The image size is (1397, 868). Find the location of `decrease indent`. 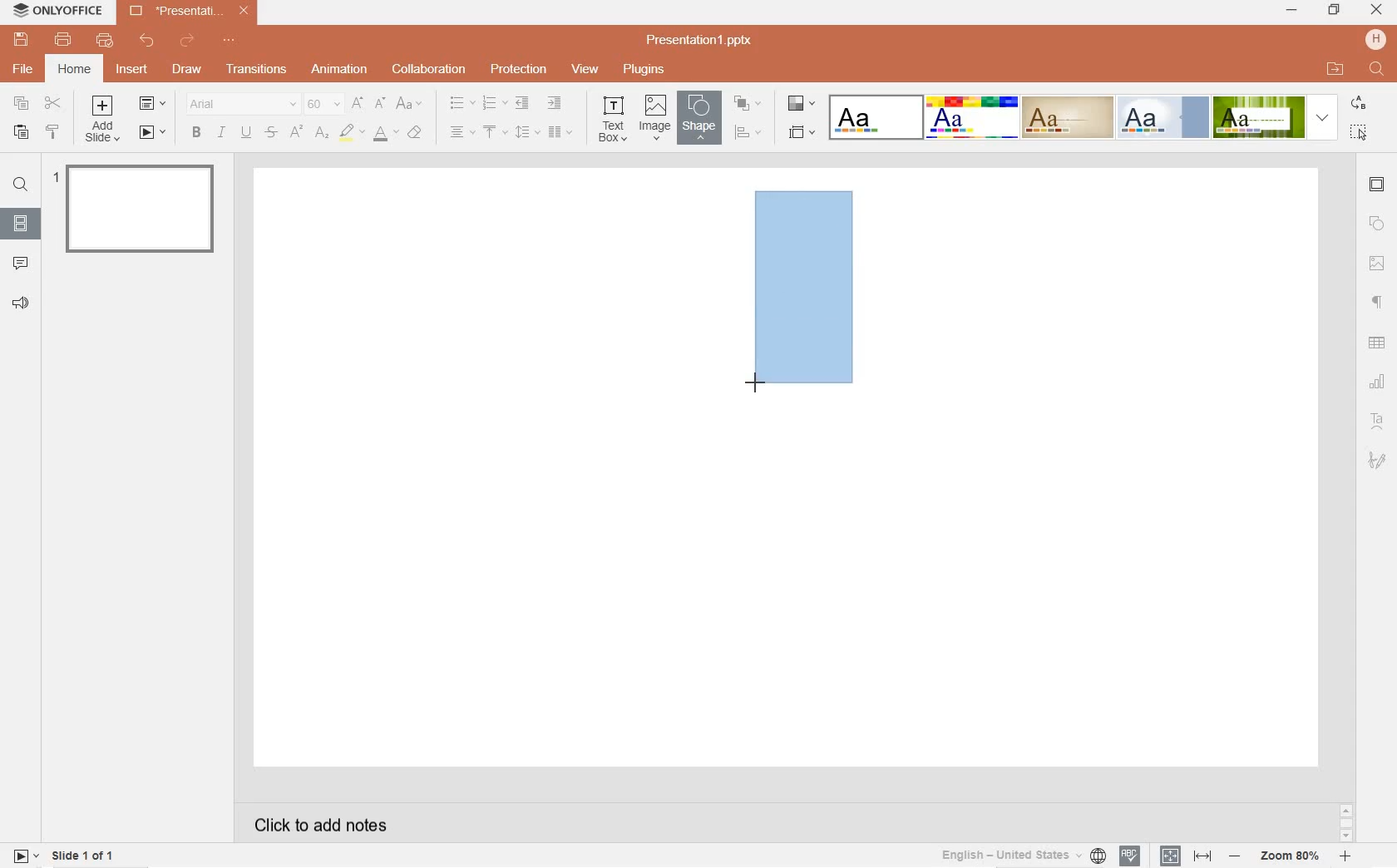

decrease indent is located at coordinates (521, 104).